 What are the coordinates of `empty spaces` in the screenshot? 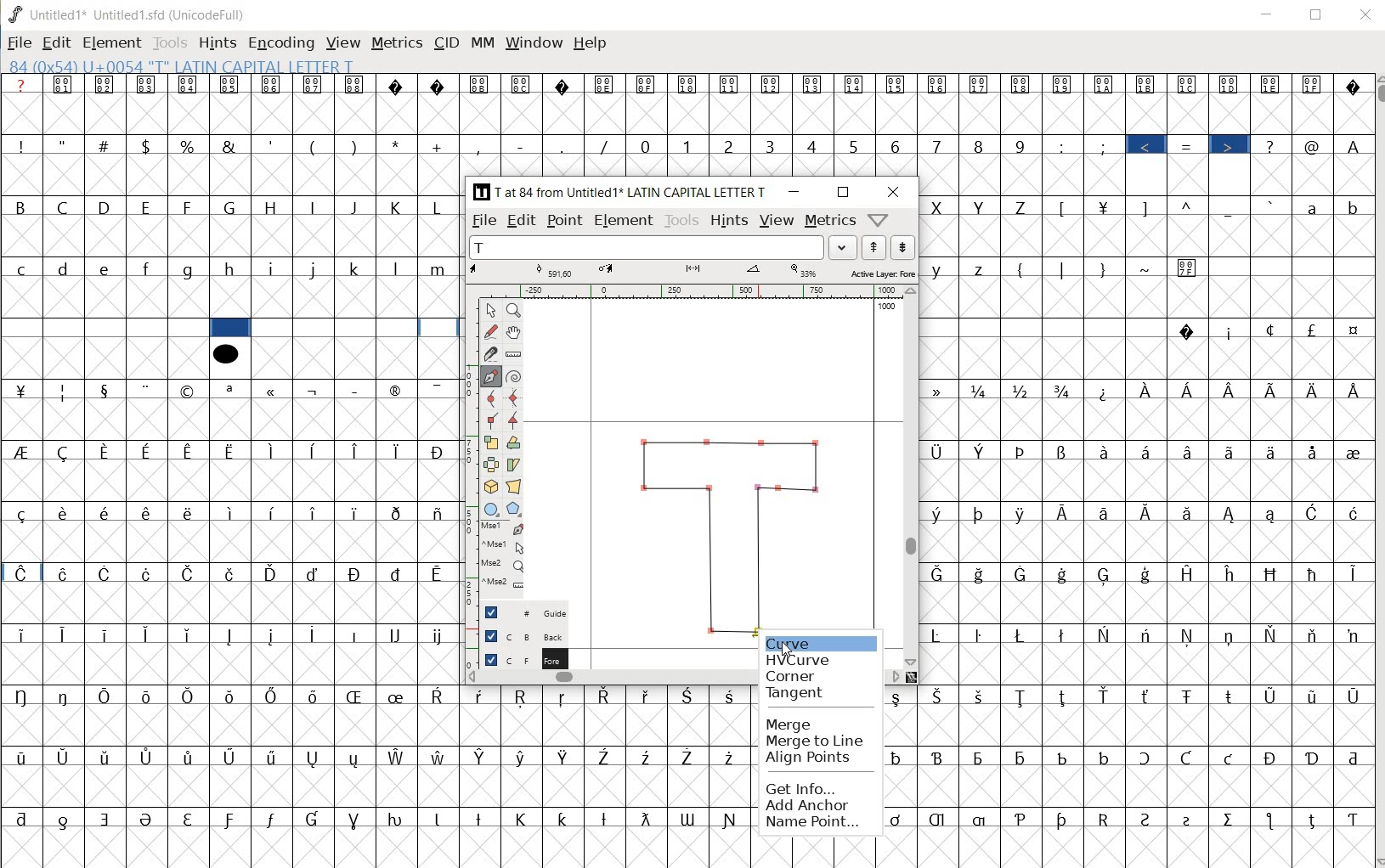 It's located at (354, 329).